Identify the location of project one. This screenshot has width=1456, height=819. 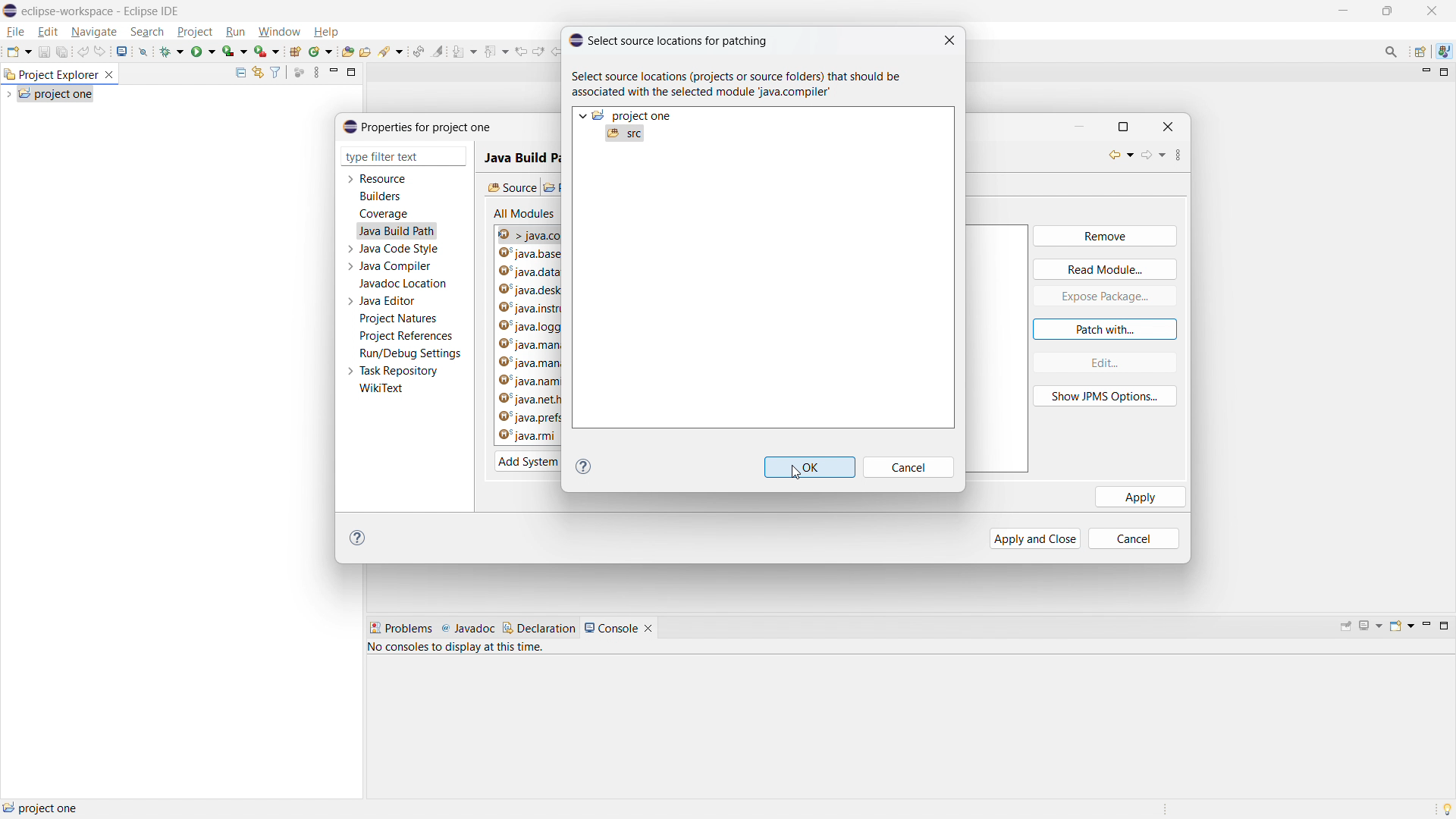
(56, 93).